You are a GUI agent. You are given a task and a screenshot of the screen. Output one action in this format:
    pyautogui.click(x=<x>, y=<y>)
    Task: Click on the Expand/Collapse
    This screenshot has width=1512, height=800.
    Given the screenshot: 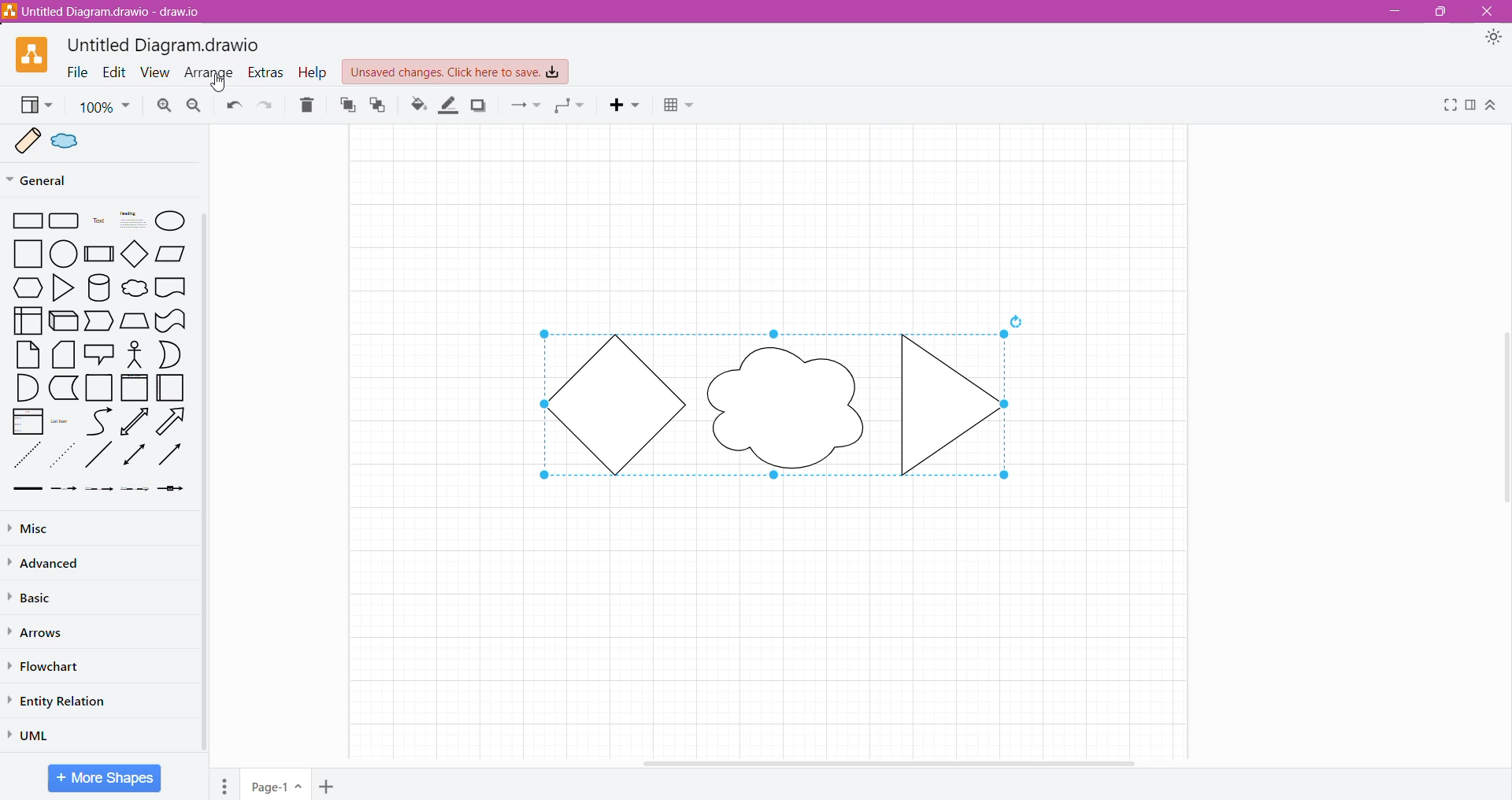 What is the action you would take?
    pyautogui.click(x=1491, y=107)
    